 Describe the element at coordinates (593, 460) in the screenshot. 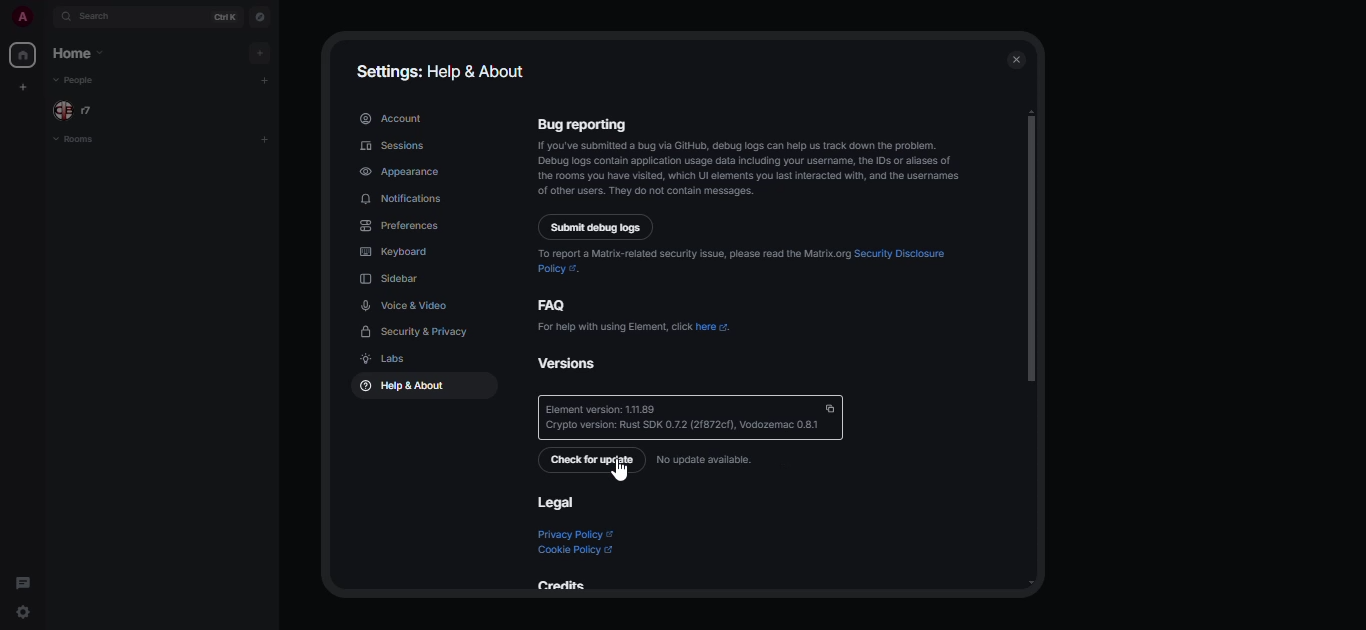

I see `check for update` at that location.